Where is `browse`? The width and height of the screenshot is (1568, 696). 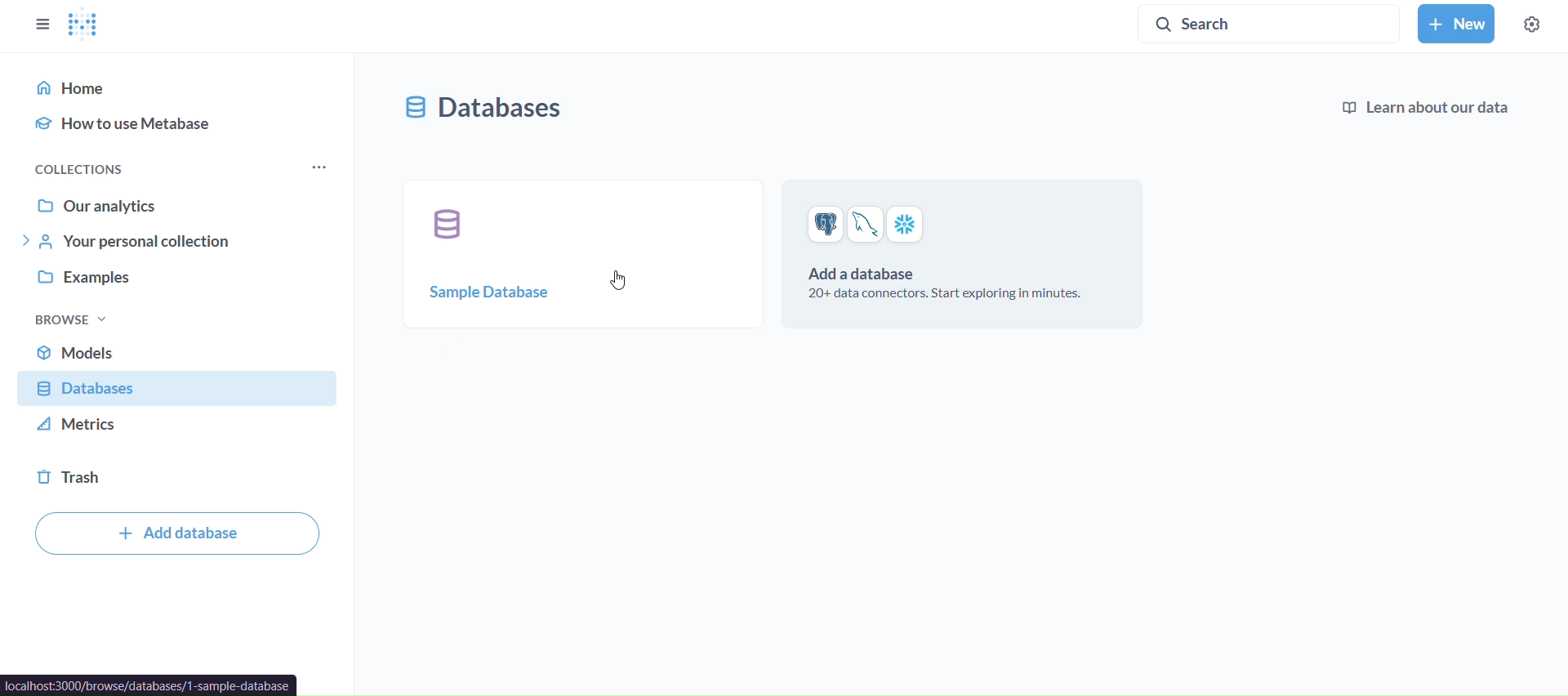
browse is located at coordinates (69, 319).